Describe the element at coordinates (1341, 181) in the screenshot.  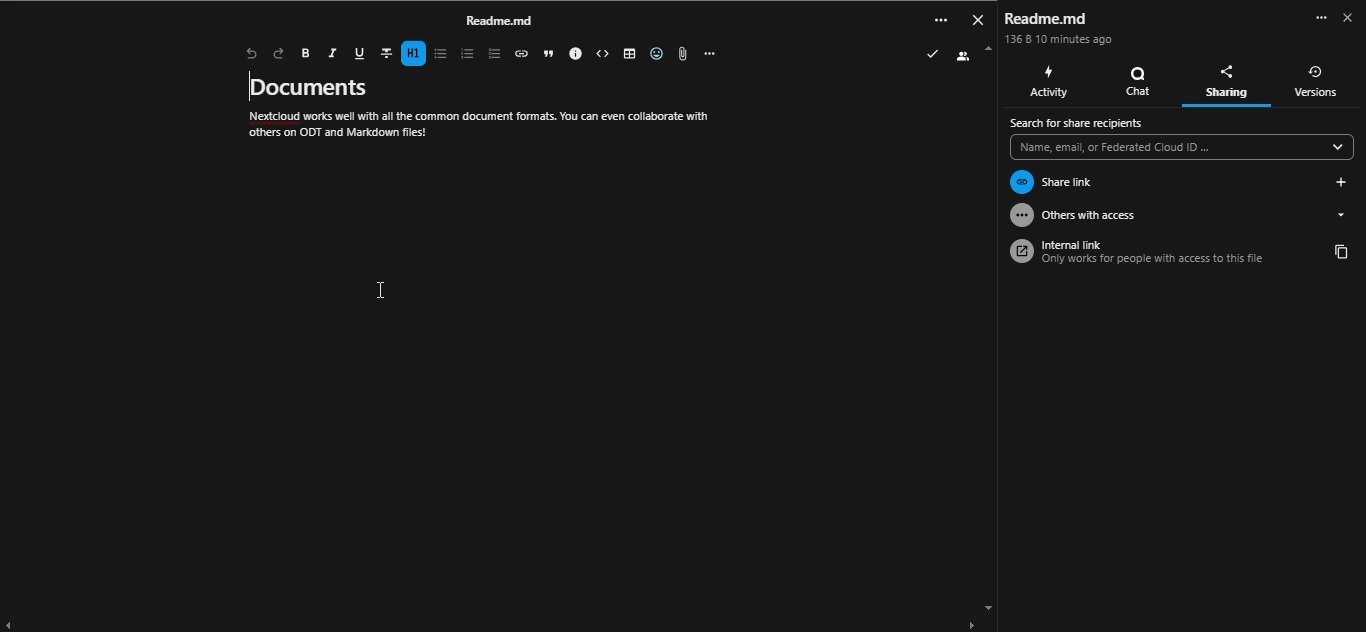
I see `share` at that location.